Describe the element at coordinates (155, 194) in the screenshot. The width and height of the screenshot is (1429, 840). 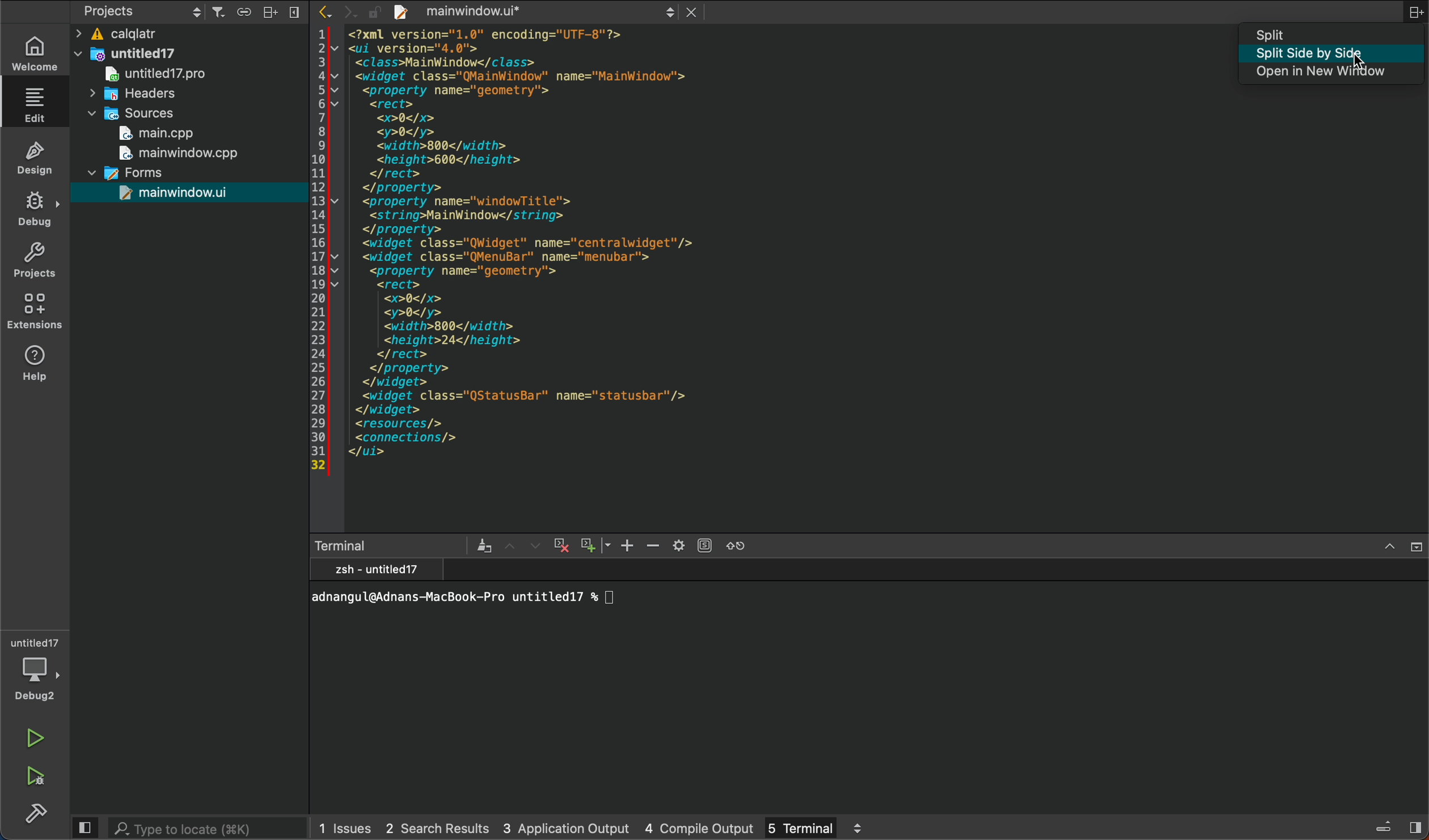
I see `main window` at that location.